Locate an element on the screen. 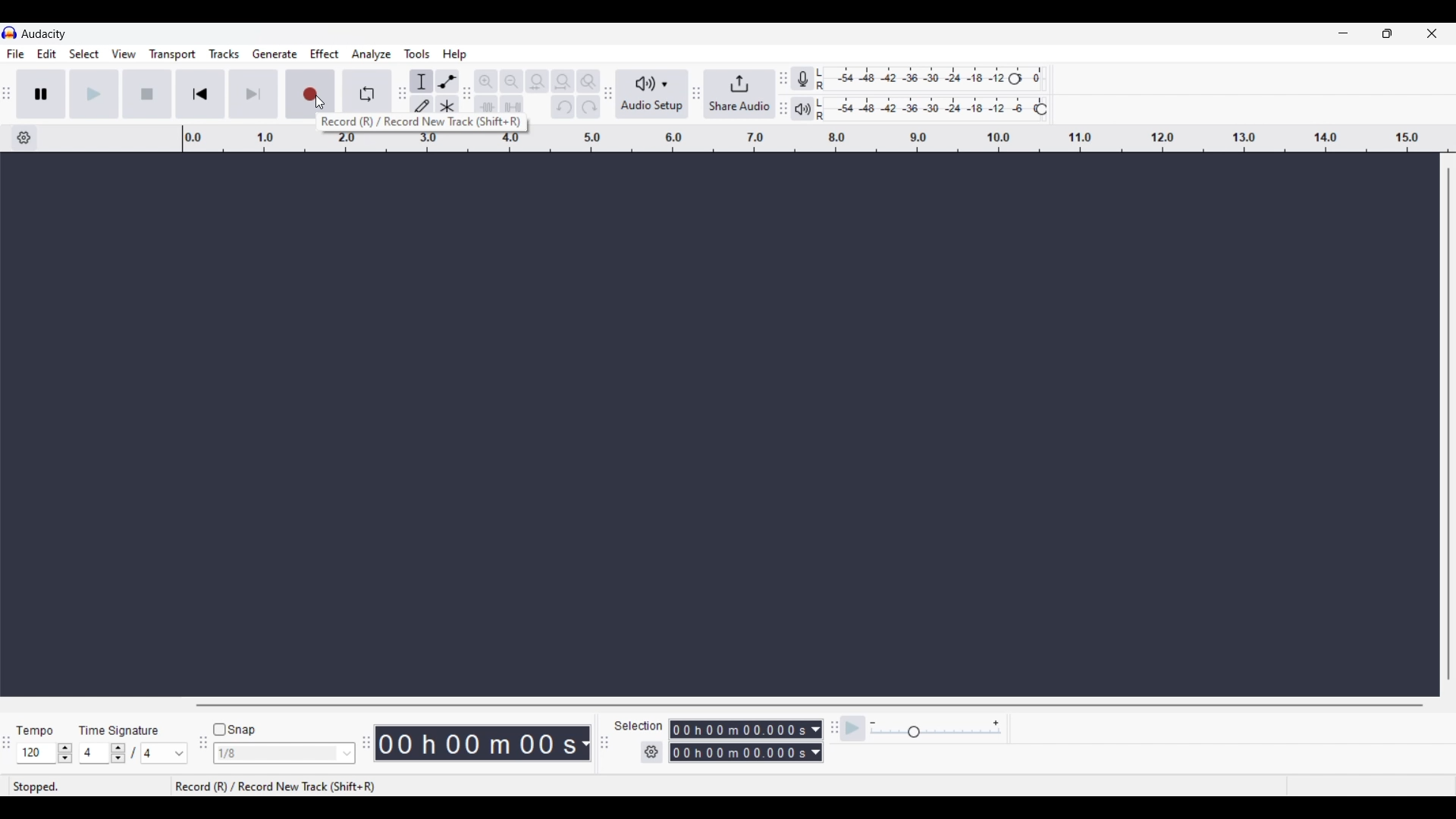 The image size is (1456, 819). Description of current selection is located at coordinates (418, 124).